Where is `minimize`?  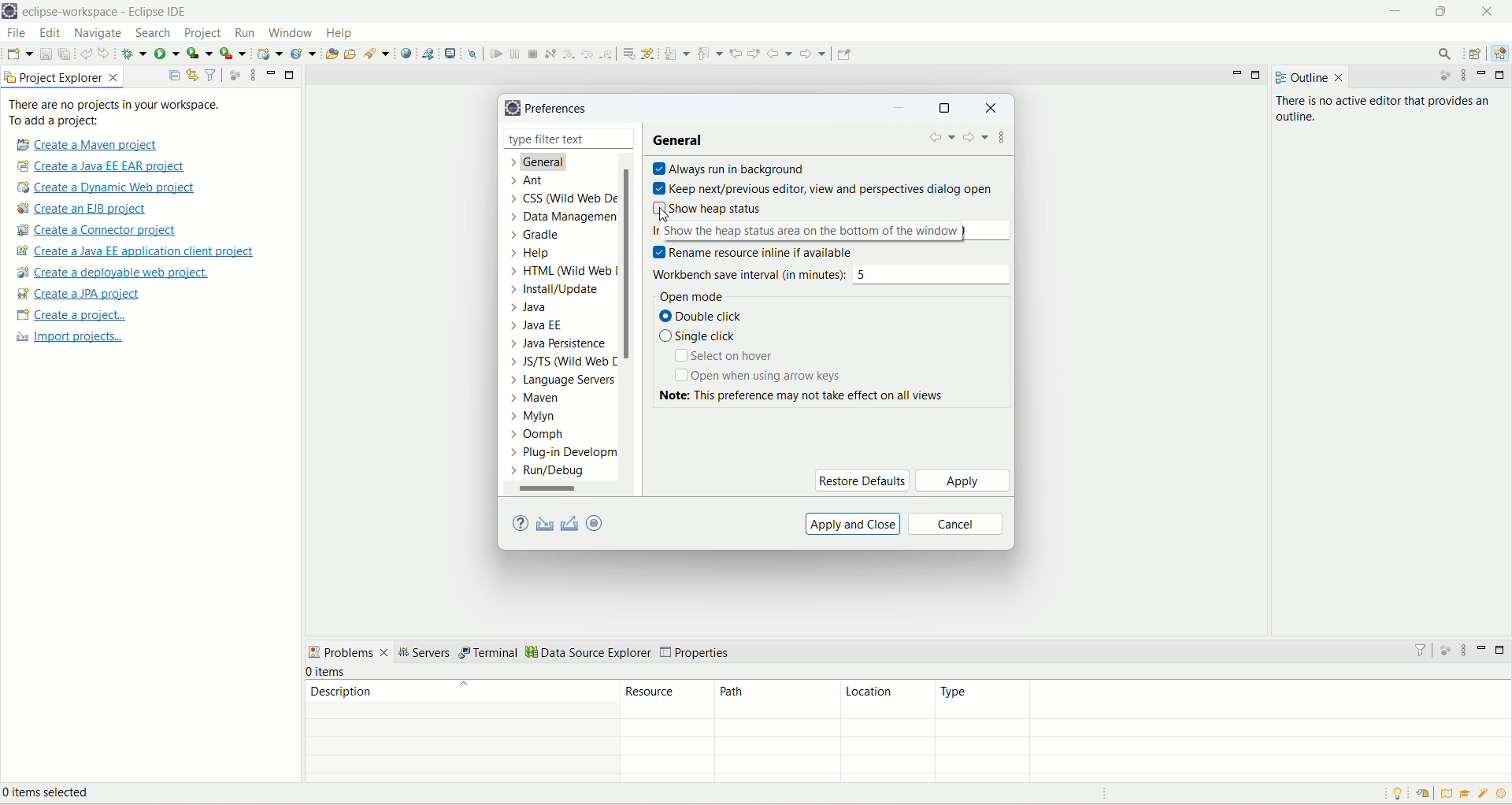 minimize is located at coordinates (1484, 74).